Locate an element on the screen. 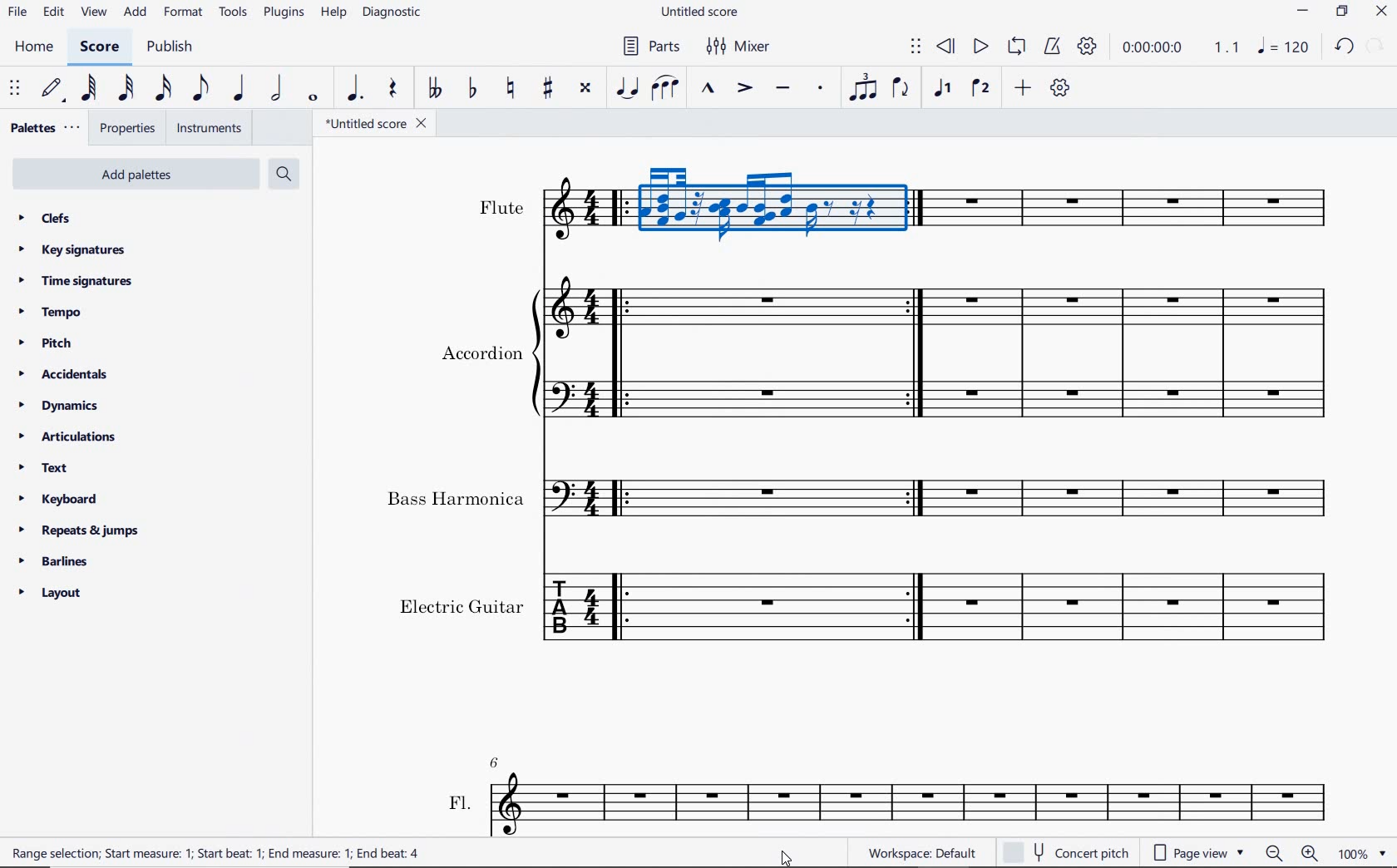  UNDO is located at coordinates (1345, 46).